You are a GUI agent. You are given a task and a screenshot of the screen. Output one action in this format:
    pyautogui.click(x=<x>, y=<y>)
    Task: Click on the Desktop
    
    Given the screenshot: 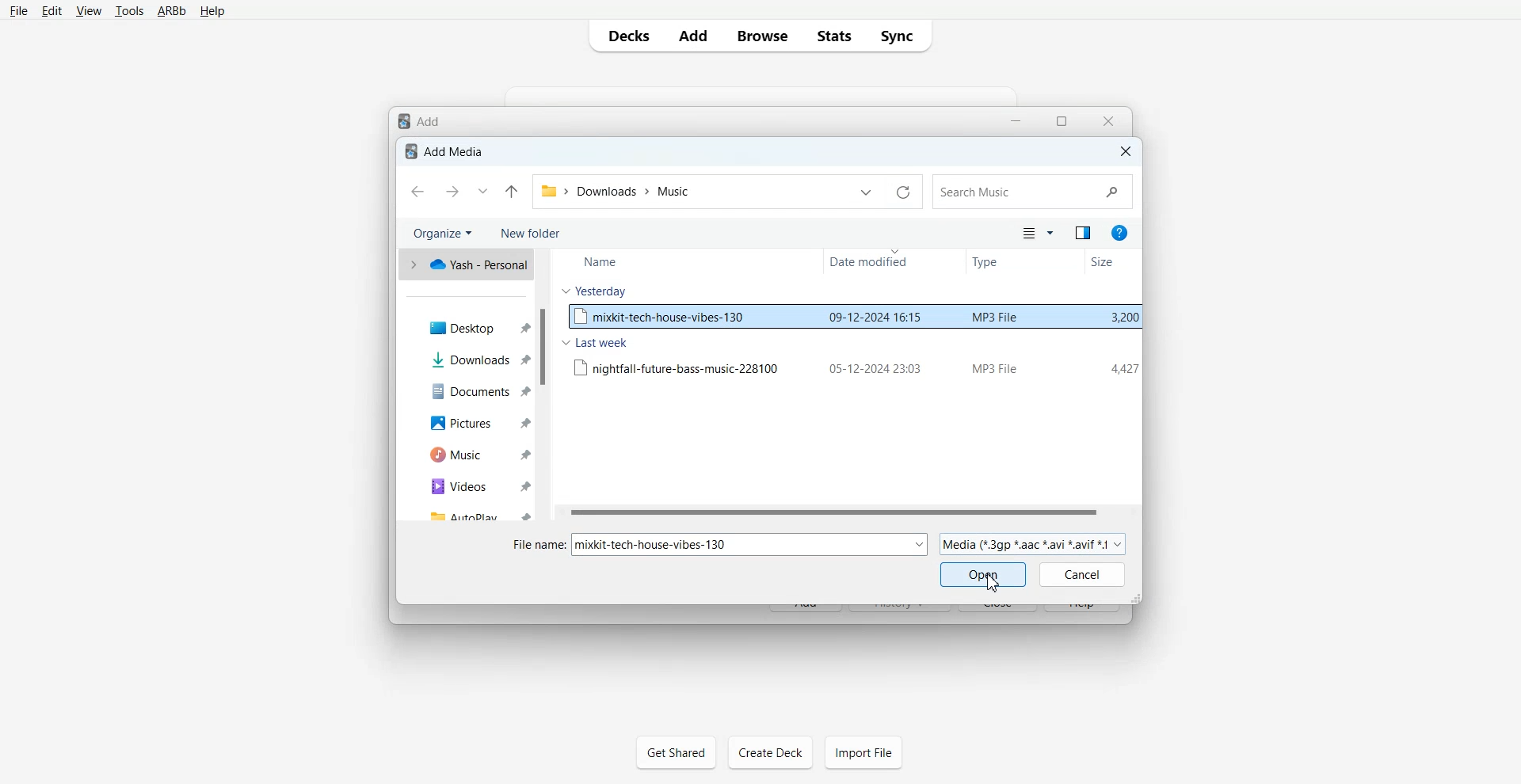 What is the action you would take?
    pyautogui.click(x=478, y=325)
    